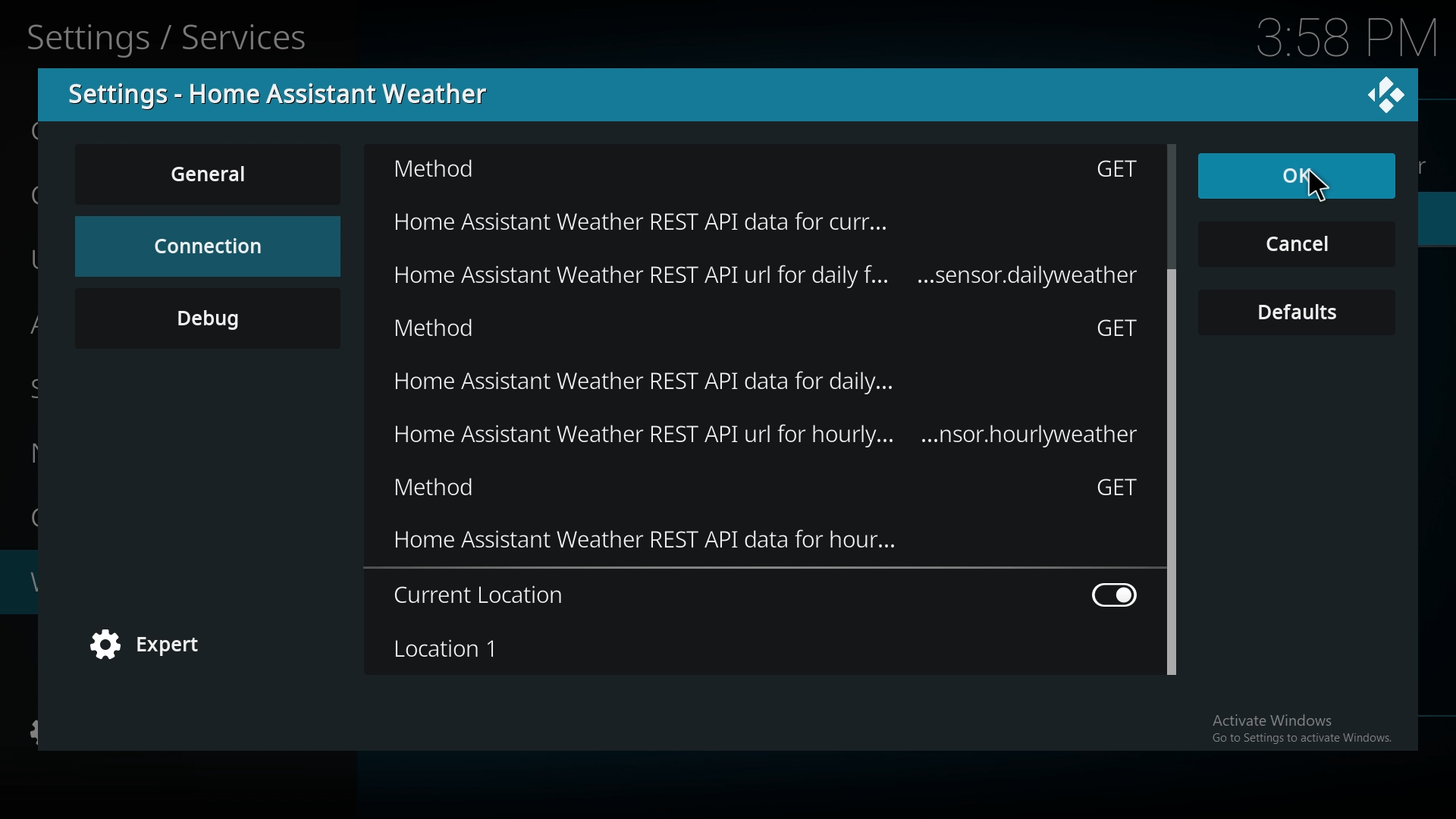 The image size is (1456, 819). Describe the element at coordinates (1297, 246) in the screenshot. I see `cancel` at that location.